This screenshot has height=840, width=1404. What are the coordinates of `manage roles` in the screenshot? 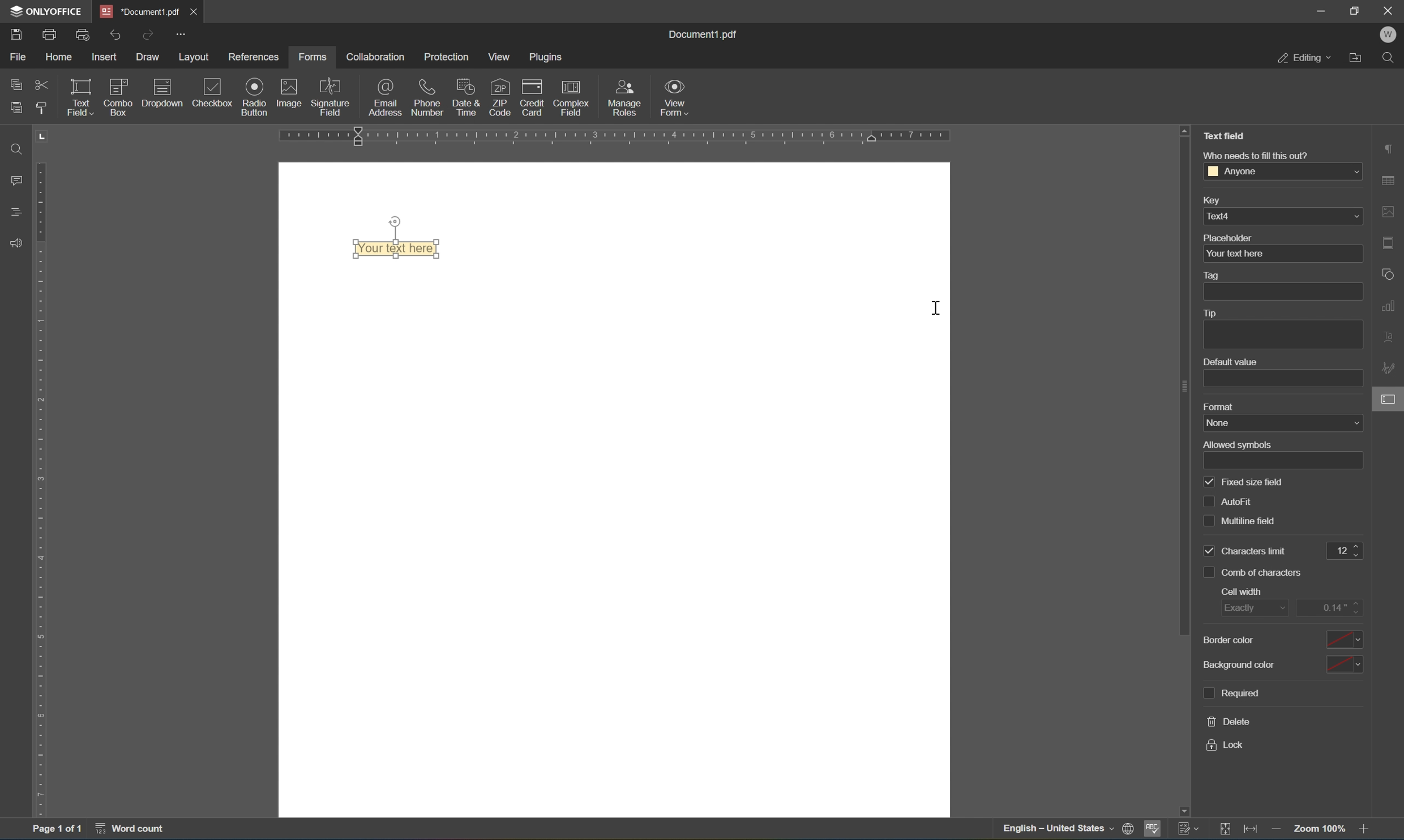 It's located at (628, 98).